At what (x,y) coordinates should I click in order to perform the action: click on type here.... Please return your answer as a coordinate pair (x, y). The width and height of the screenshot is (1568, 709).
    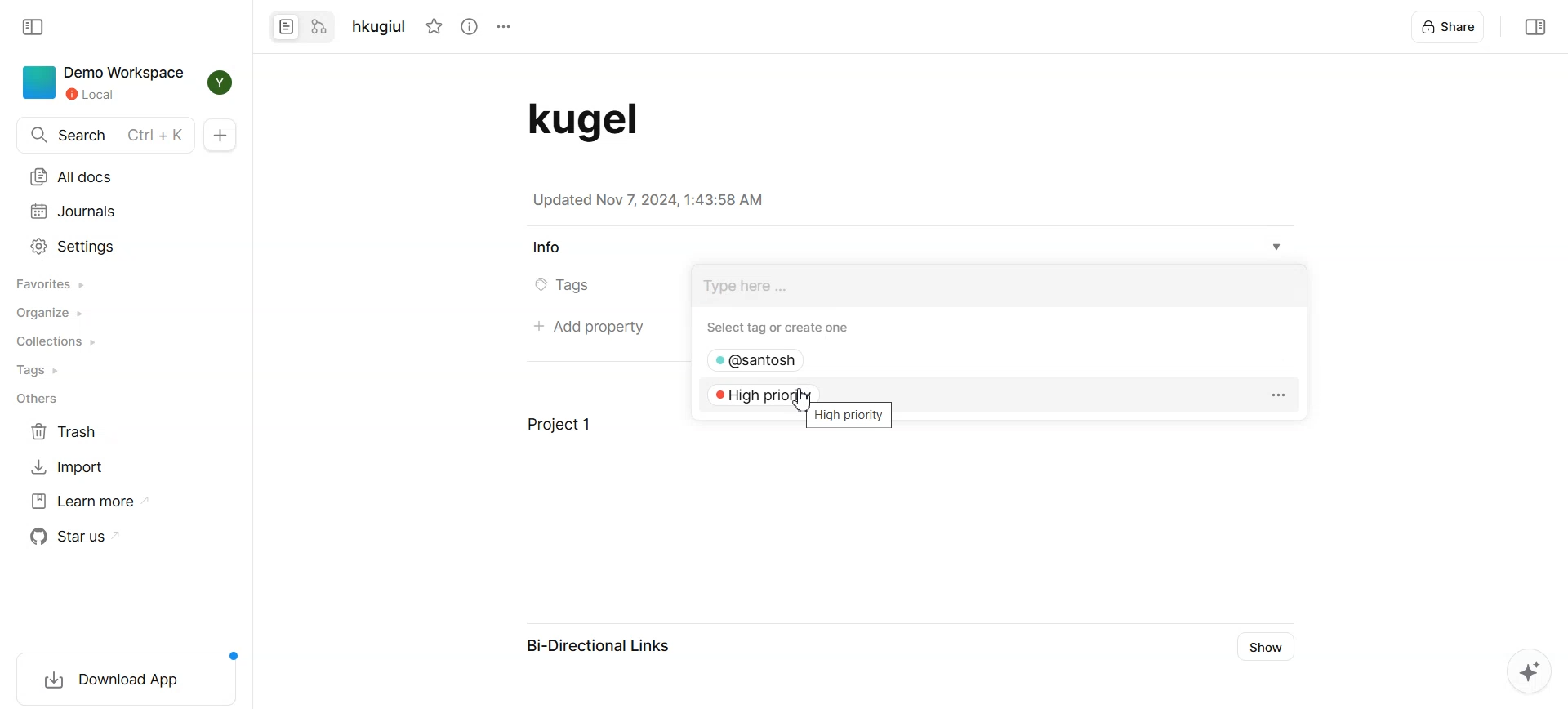
    Looking at the image, I should click on (749, 288).